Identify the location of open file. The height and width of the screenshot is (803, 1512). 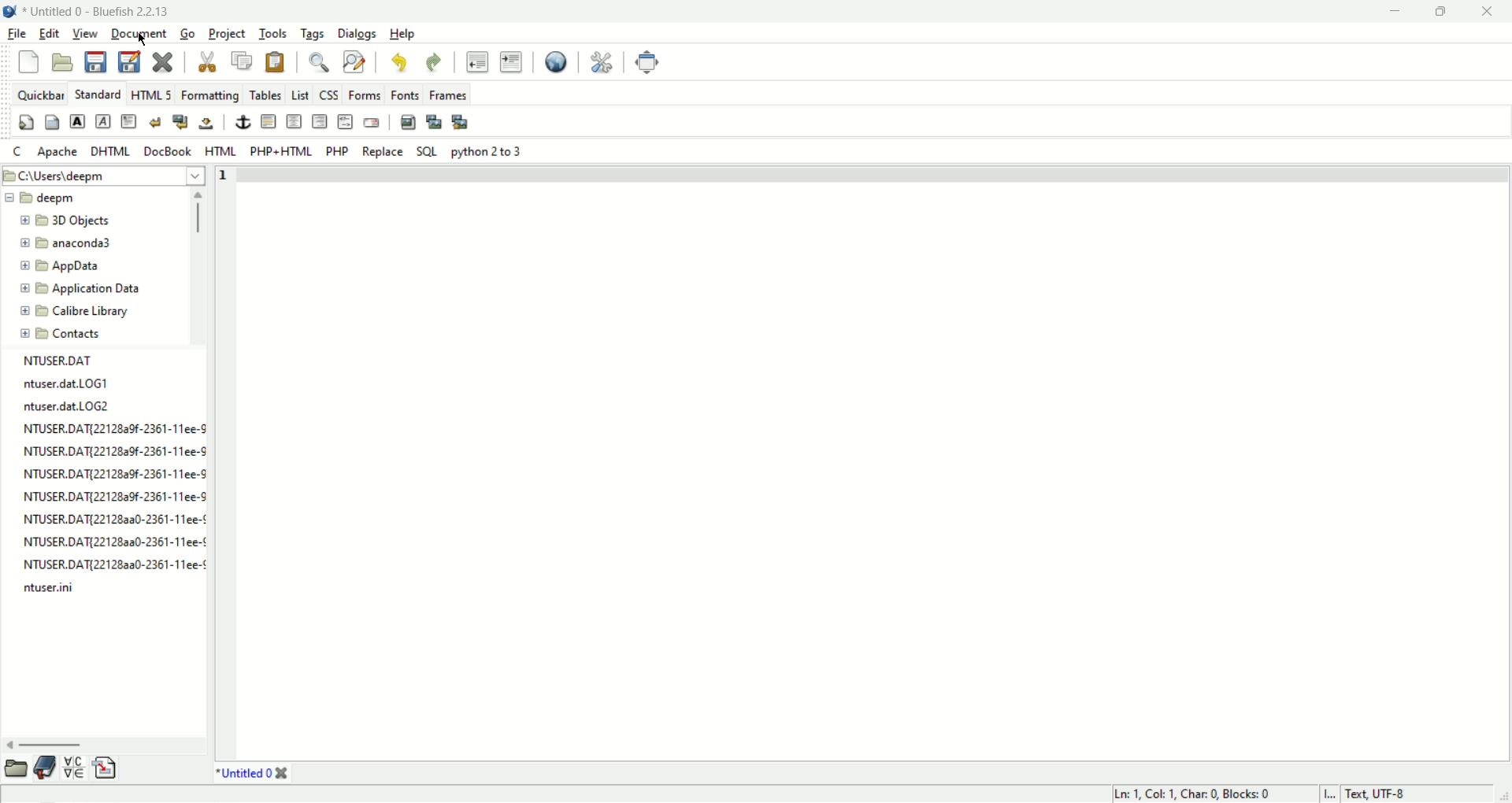
(64, 62).